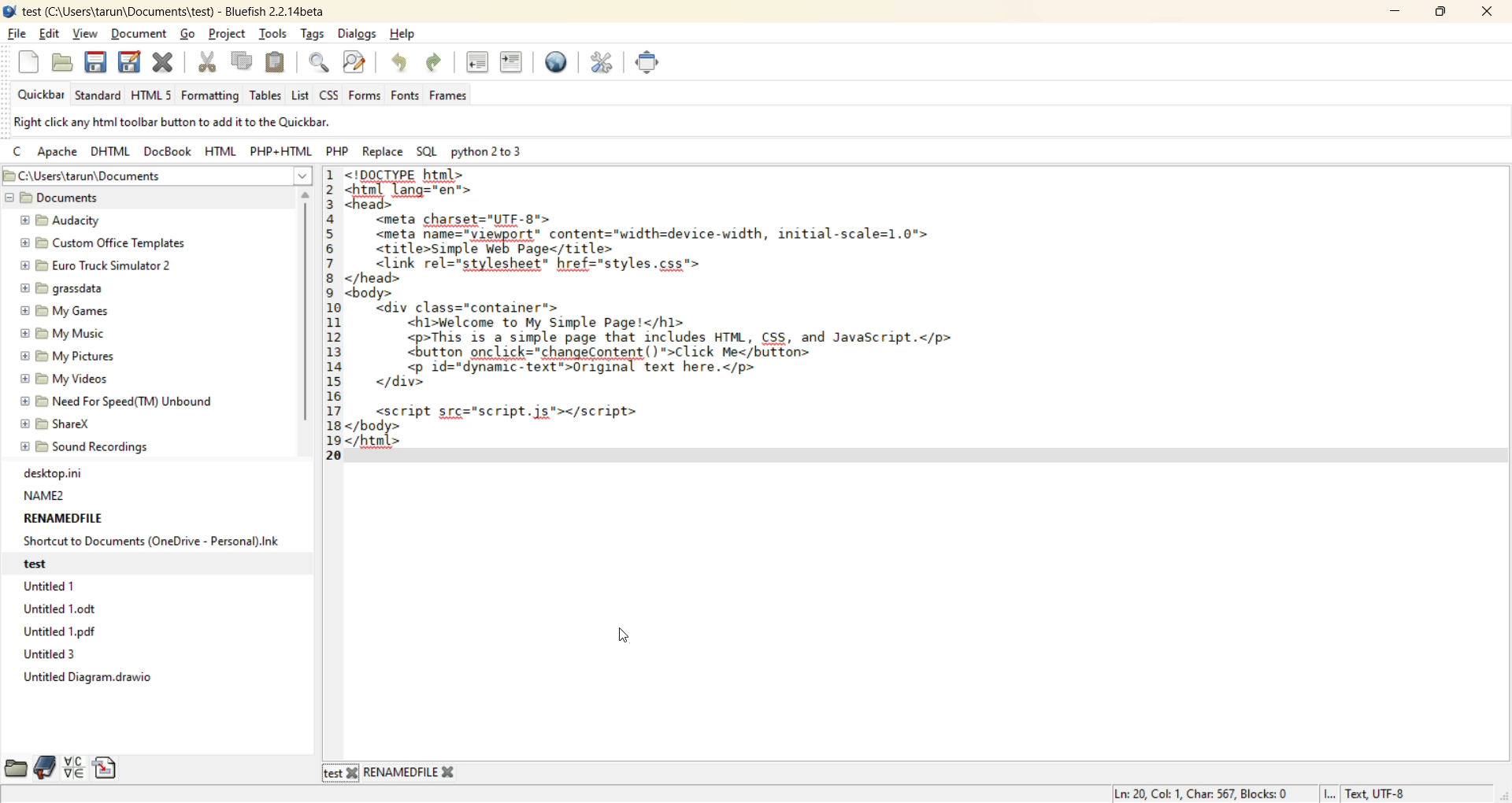 This screenshot has width=1512, height=803. Describe the element at coordinates (56, 154) in the screenshot. I see `apache` at that location.